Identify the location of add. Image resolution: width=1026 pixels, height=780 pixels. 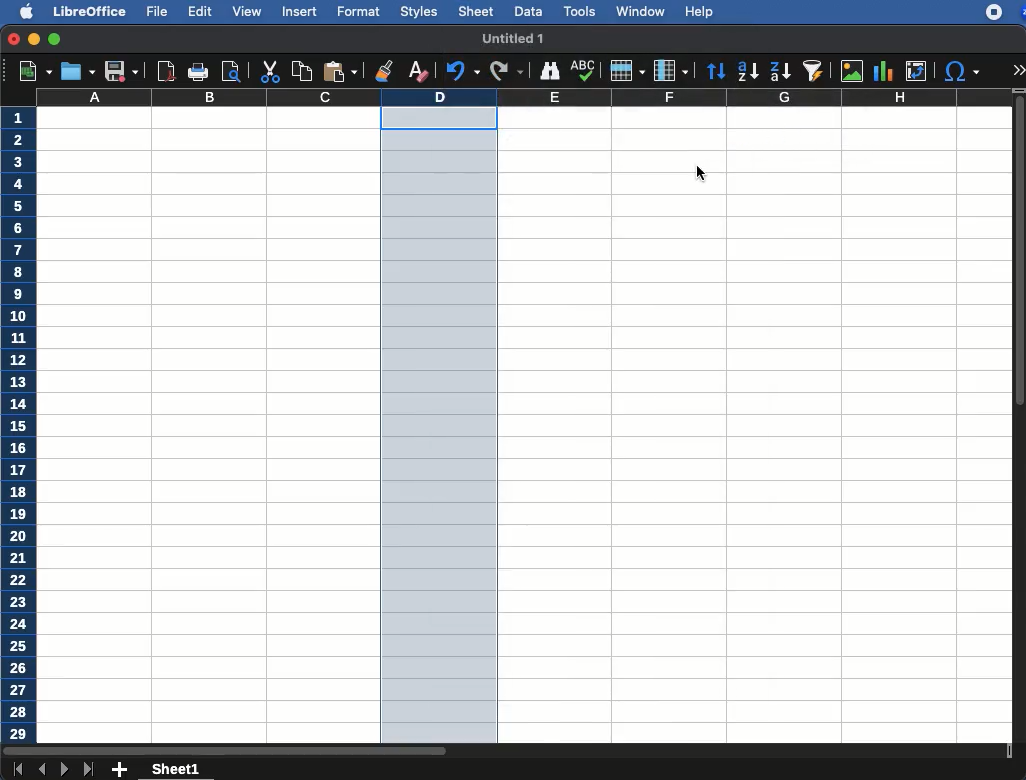
(120, 770).